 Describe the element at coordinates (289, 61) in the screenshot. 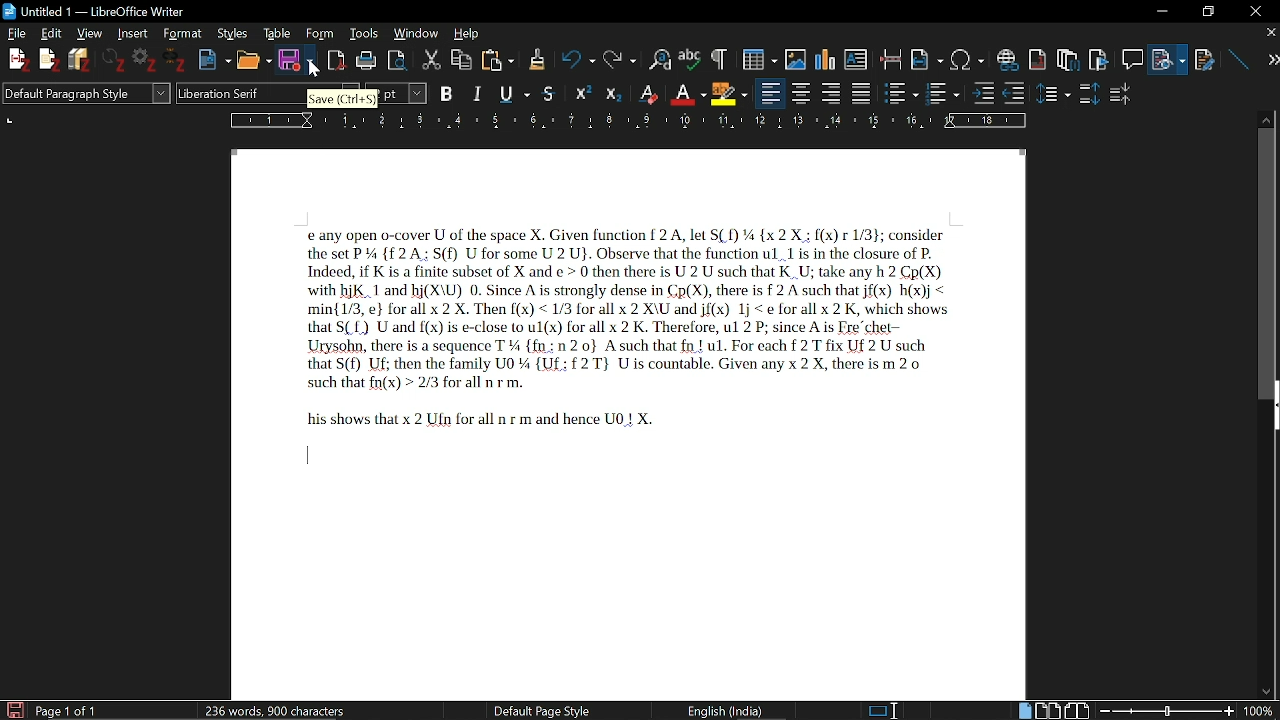

I see `Save` at that location.